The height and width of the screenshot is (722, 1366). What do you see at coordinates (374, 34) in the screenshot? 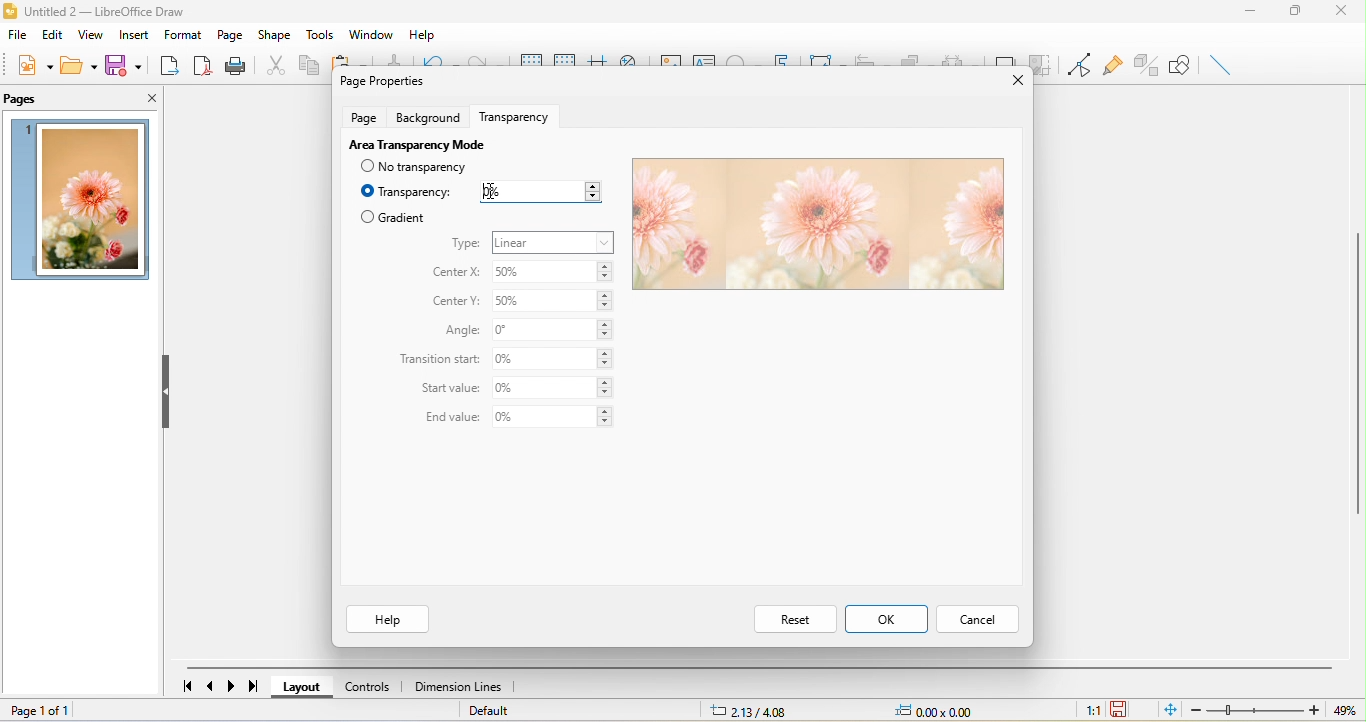
I see `window` at bounding box center [374, 34].